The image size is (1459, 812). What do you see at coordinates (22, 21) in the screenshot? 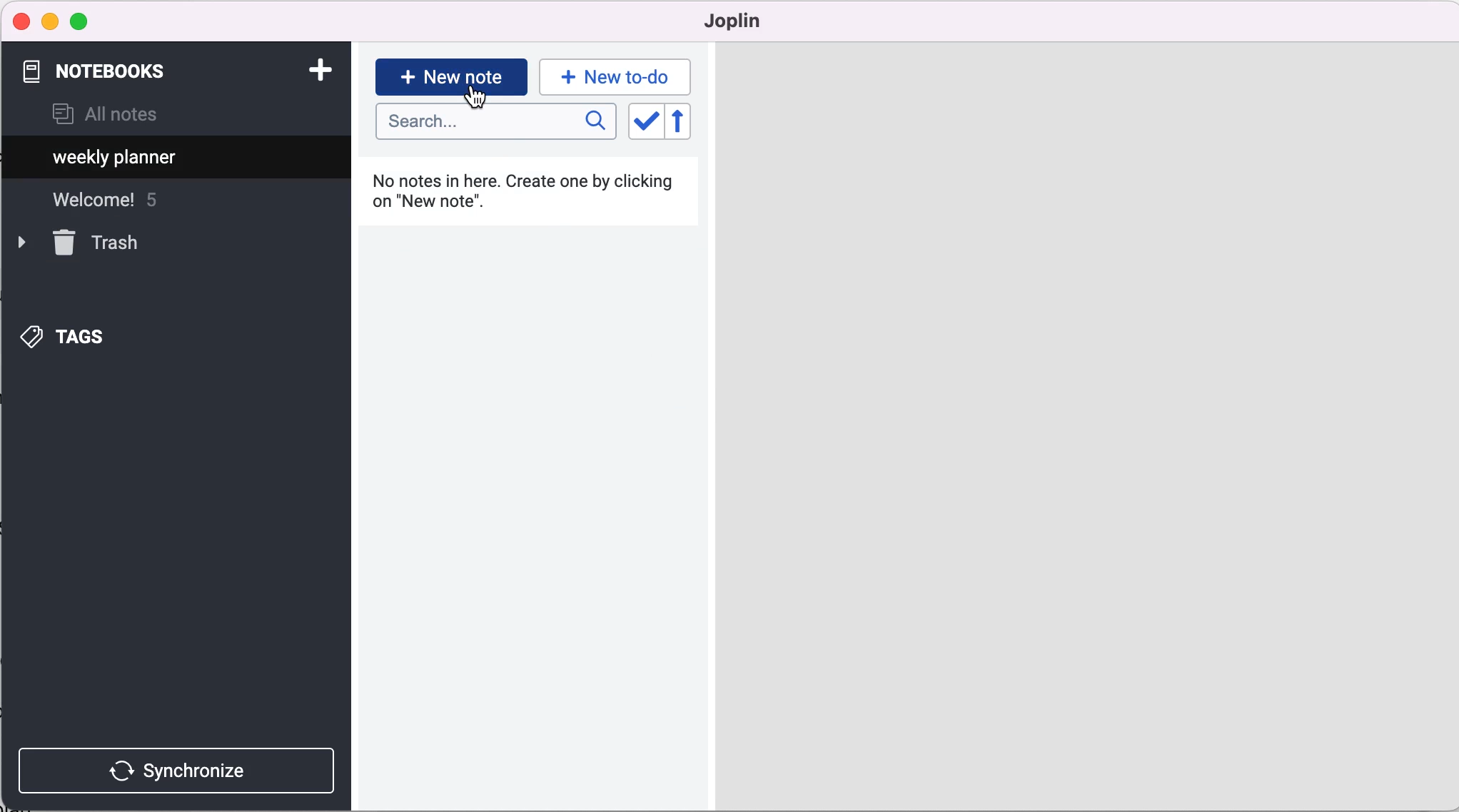
I see `close` at bounding box center [22, 21].